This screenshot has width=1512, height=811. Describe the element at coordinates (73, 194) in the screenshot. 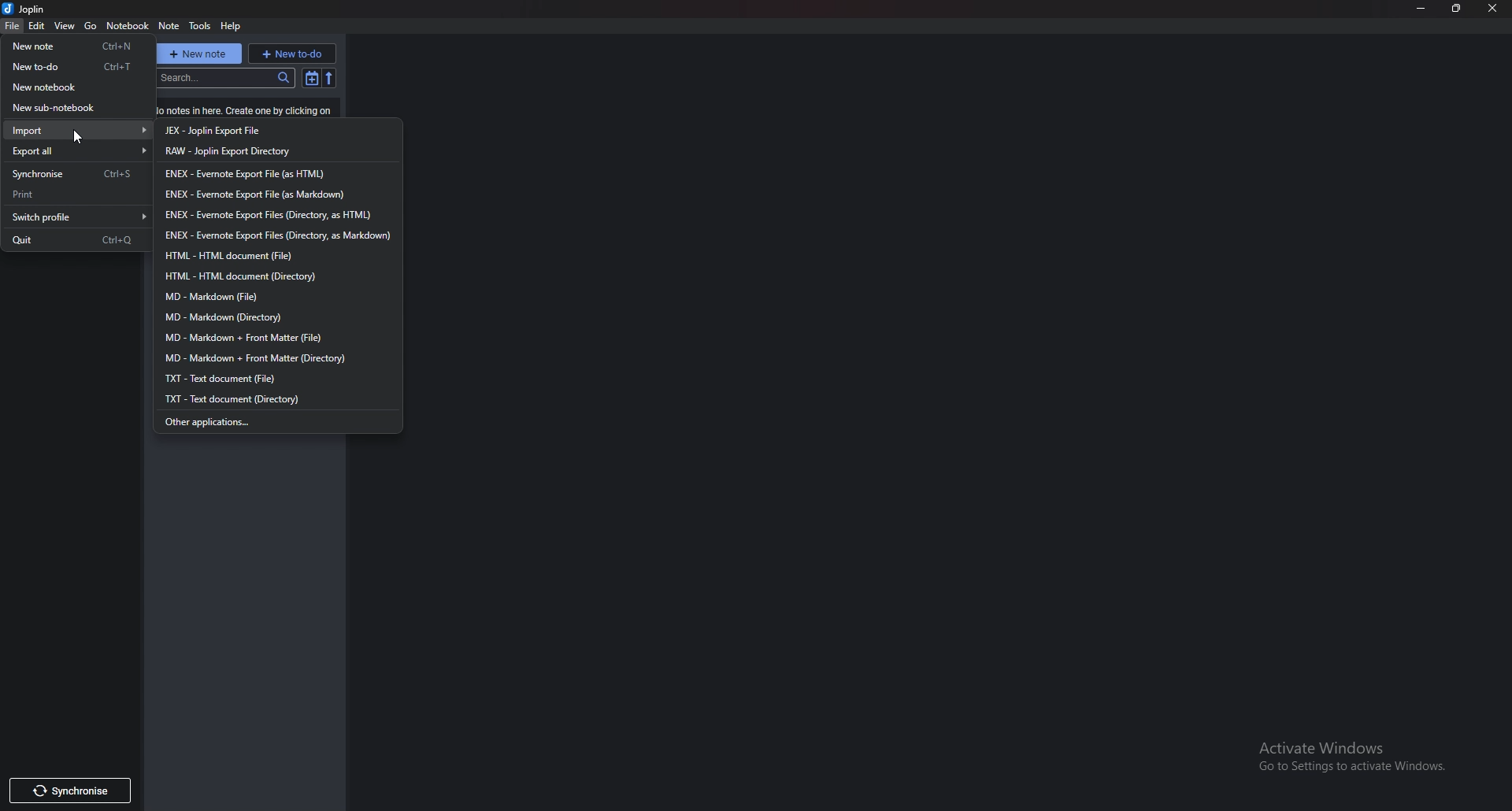

I see `Print` at that location.